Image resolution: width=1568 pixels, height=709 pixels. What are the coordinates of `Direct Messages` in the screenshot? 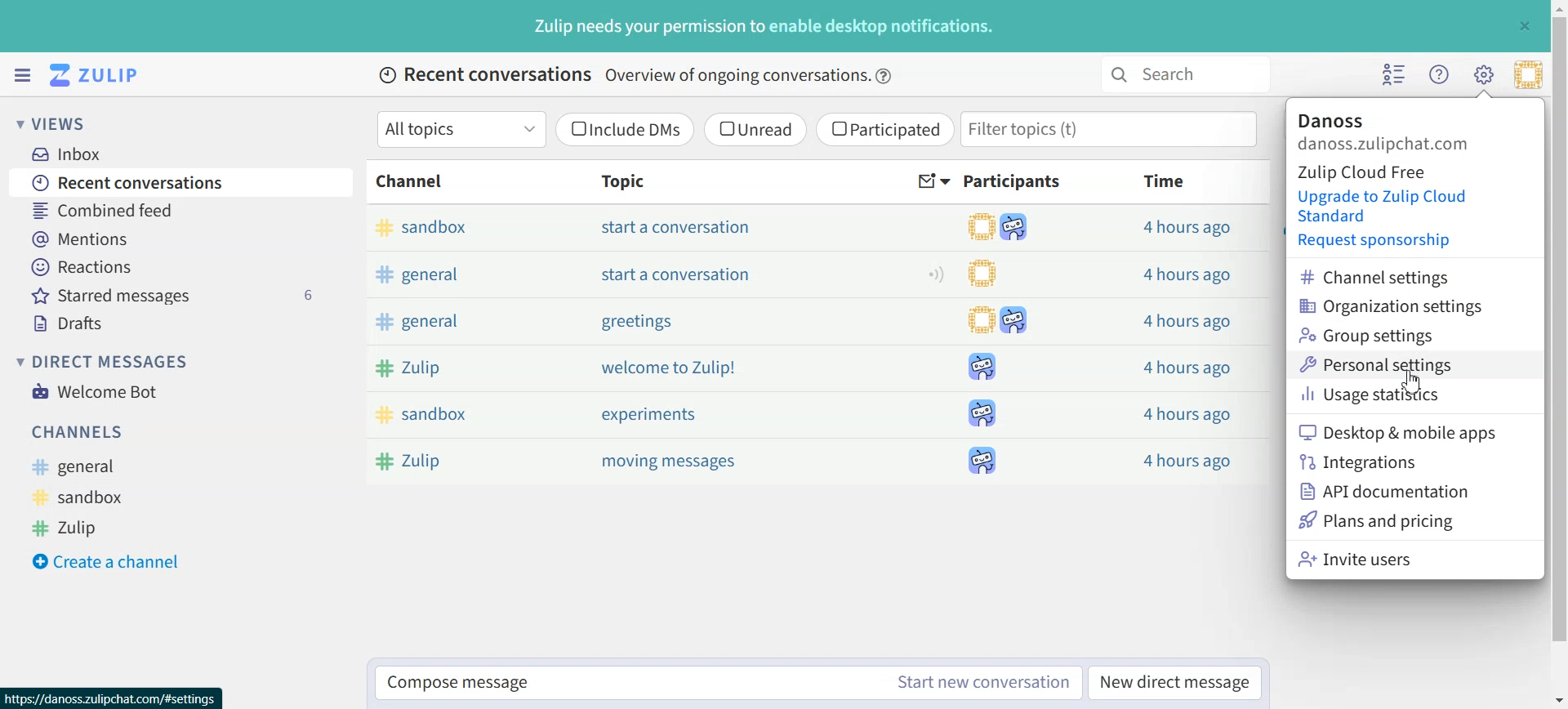 It's located at (107, 361).